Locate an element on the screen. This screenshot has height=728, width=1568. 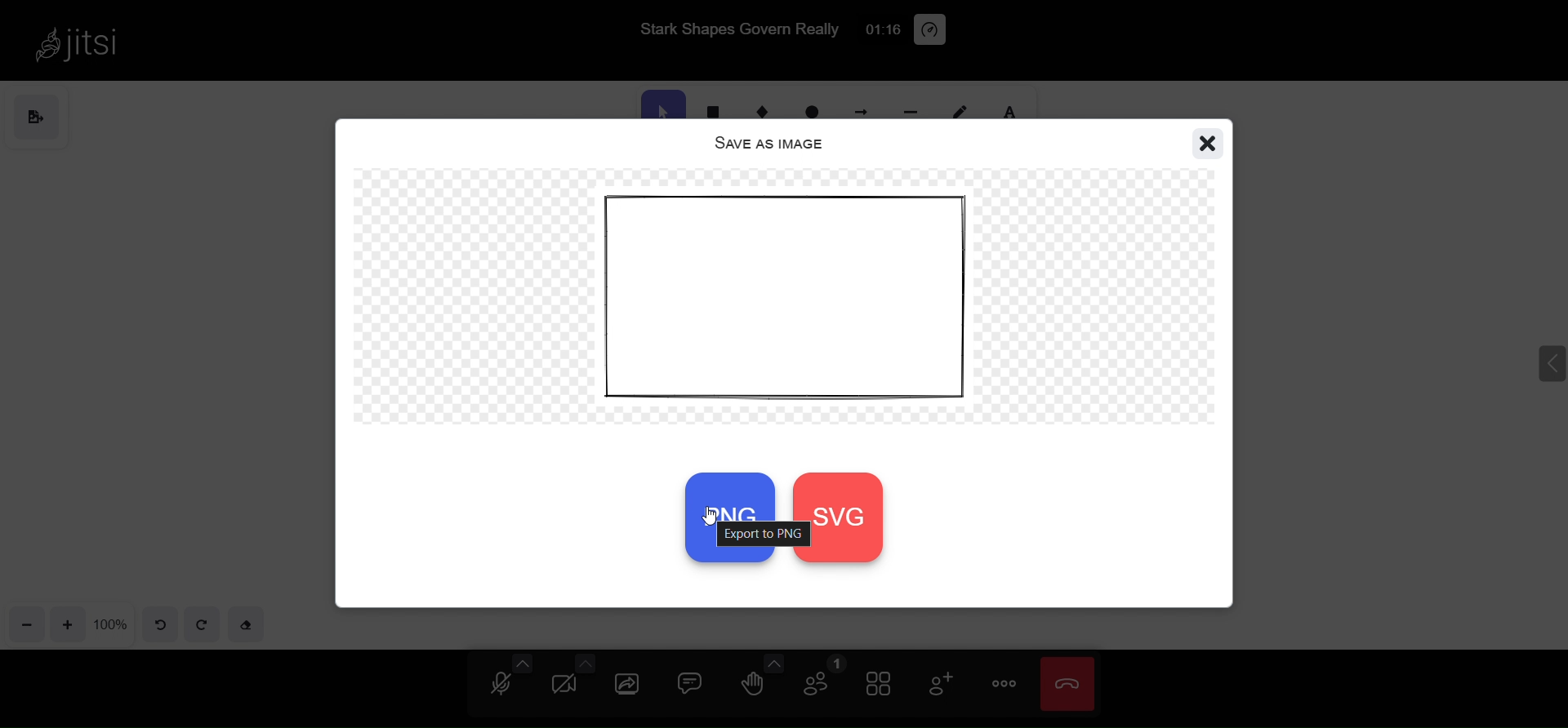
more emoji is located at coordinates (770, 661).